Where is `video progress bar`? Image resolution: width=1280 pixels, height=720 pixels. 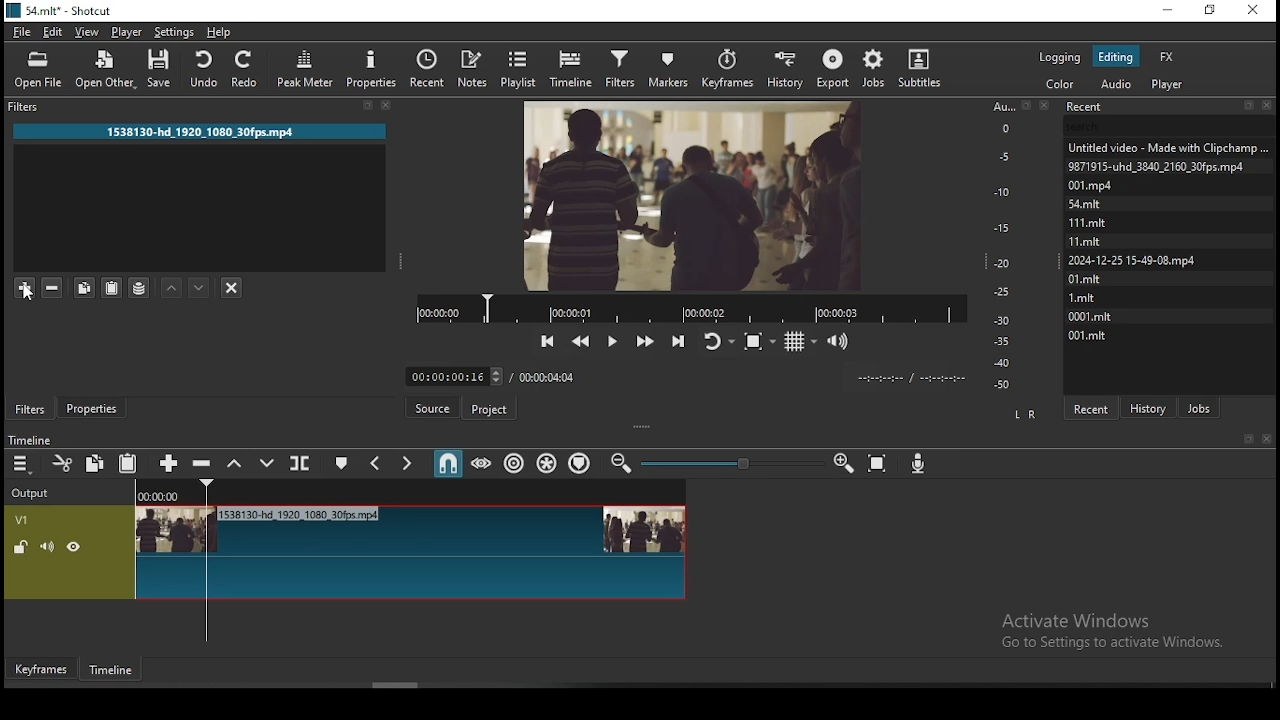
video progress bar is located at coordinates (691, 307).